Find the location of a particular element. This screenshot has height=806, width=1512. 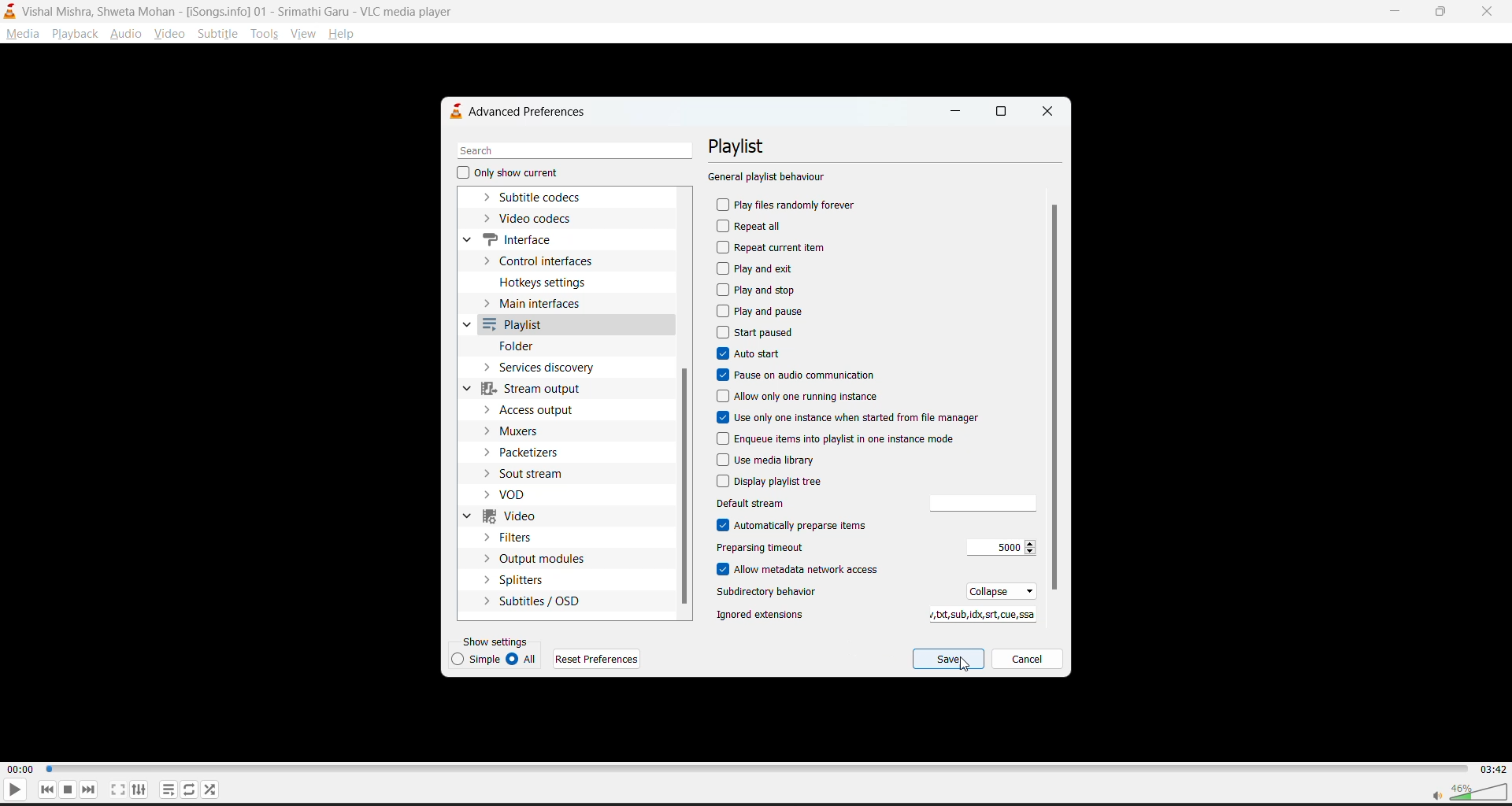

settings is located at coordinates (137, 790).